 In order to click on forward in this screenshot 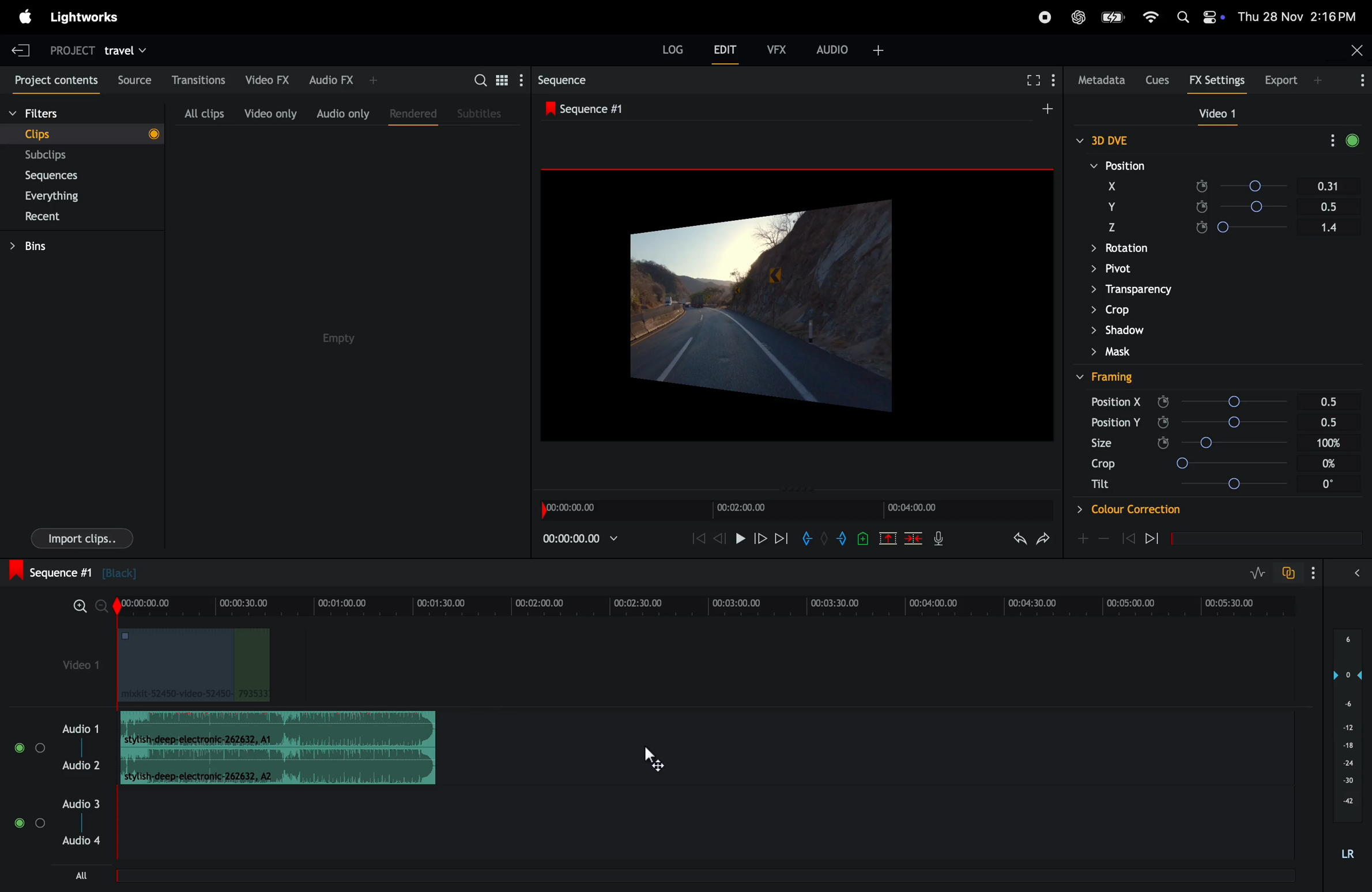, I will do `click(781, 538)`.